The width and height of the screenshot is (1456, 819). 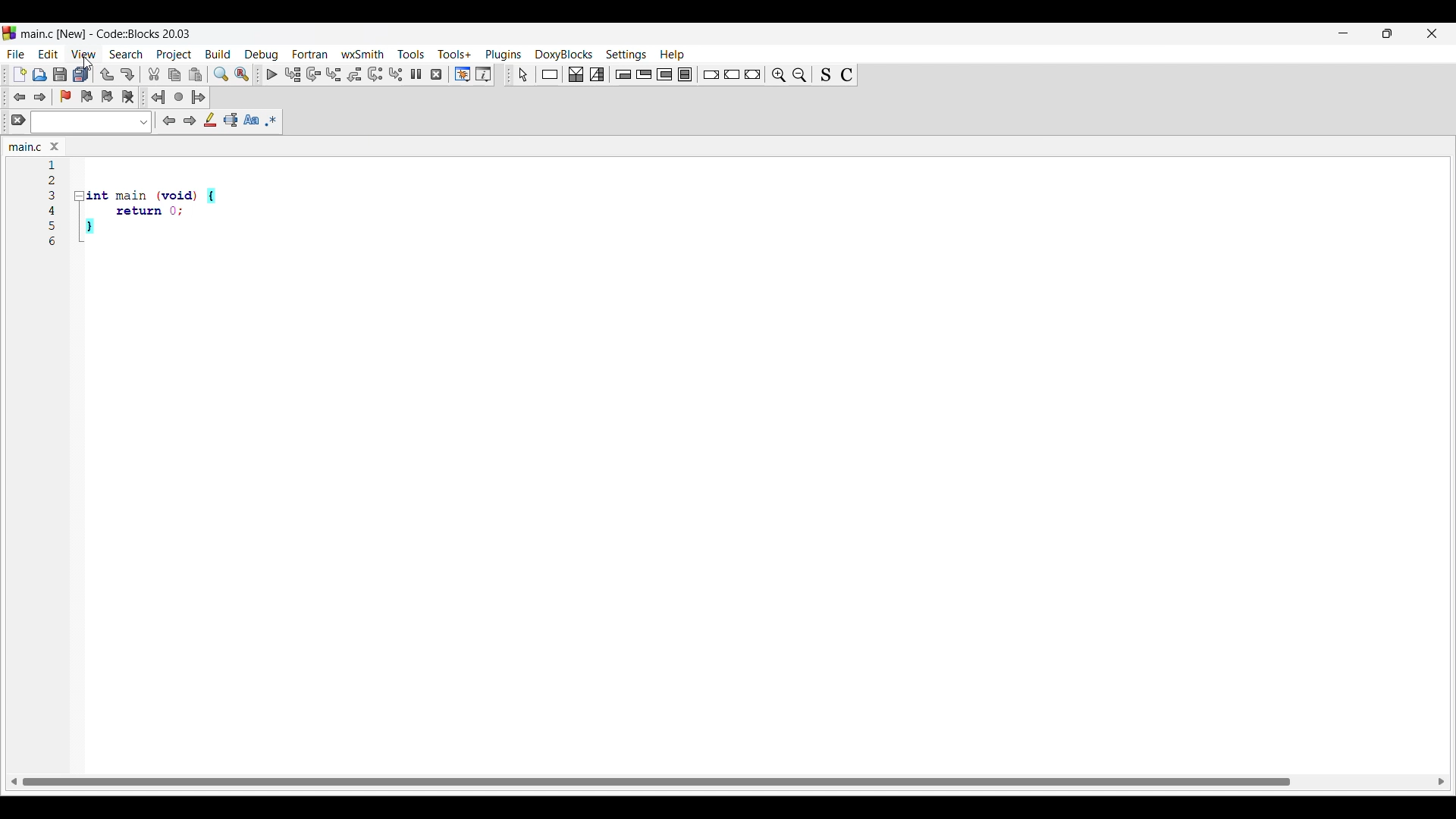 What do you see at coordinates (1432, 33) in the screenshot?
I see `Close interface` at bounding box center [1432, 33].